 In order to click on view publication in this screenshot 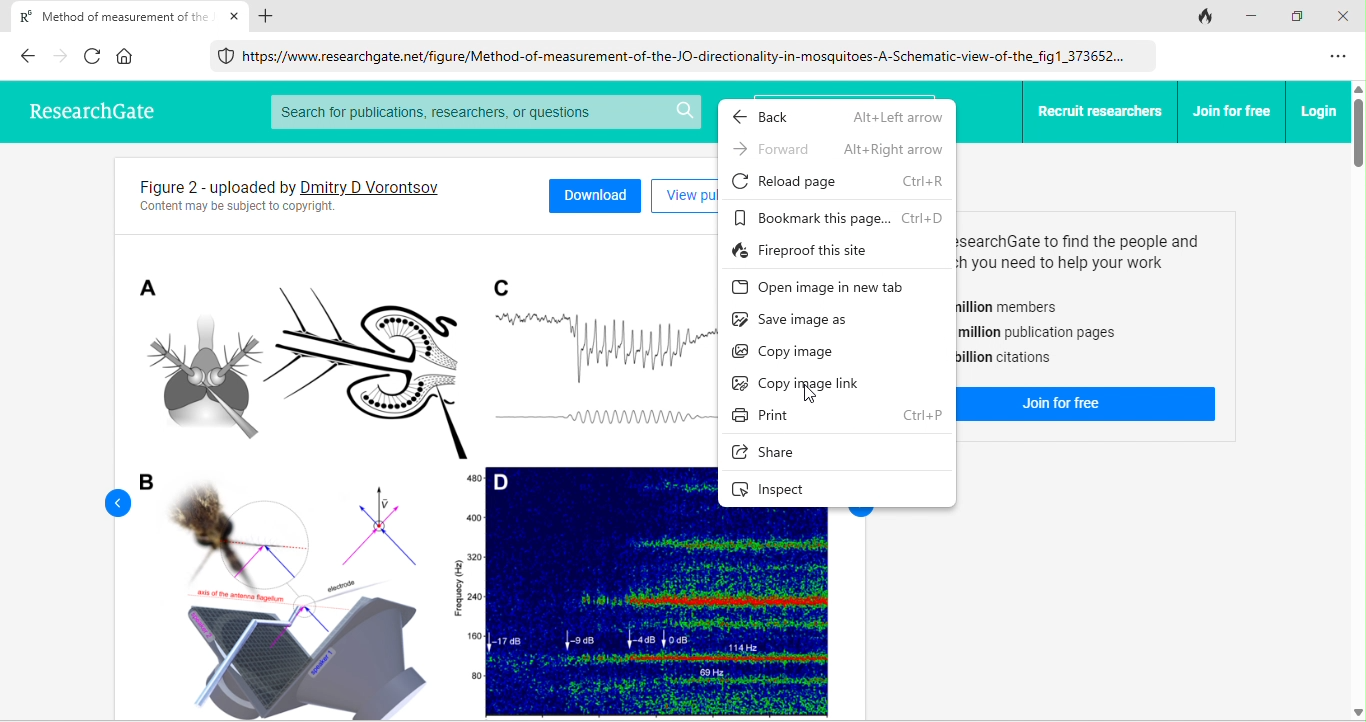, I will do `click(681, 196)`.